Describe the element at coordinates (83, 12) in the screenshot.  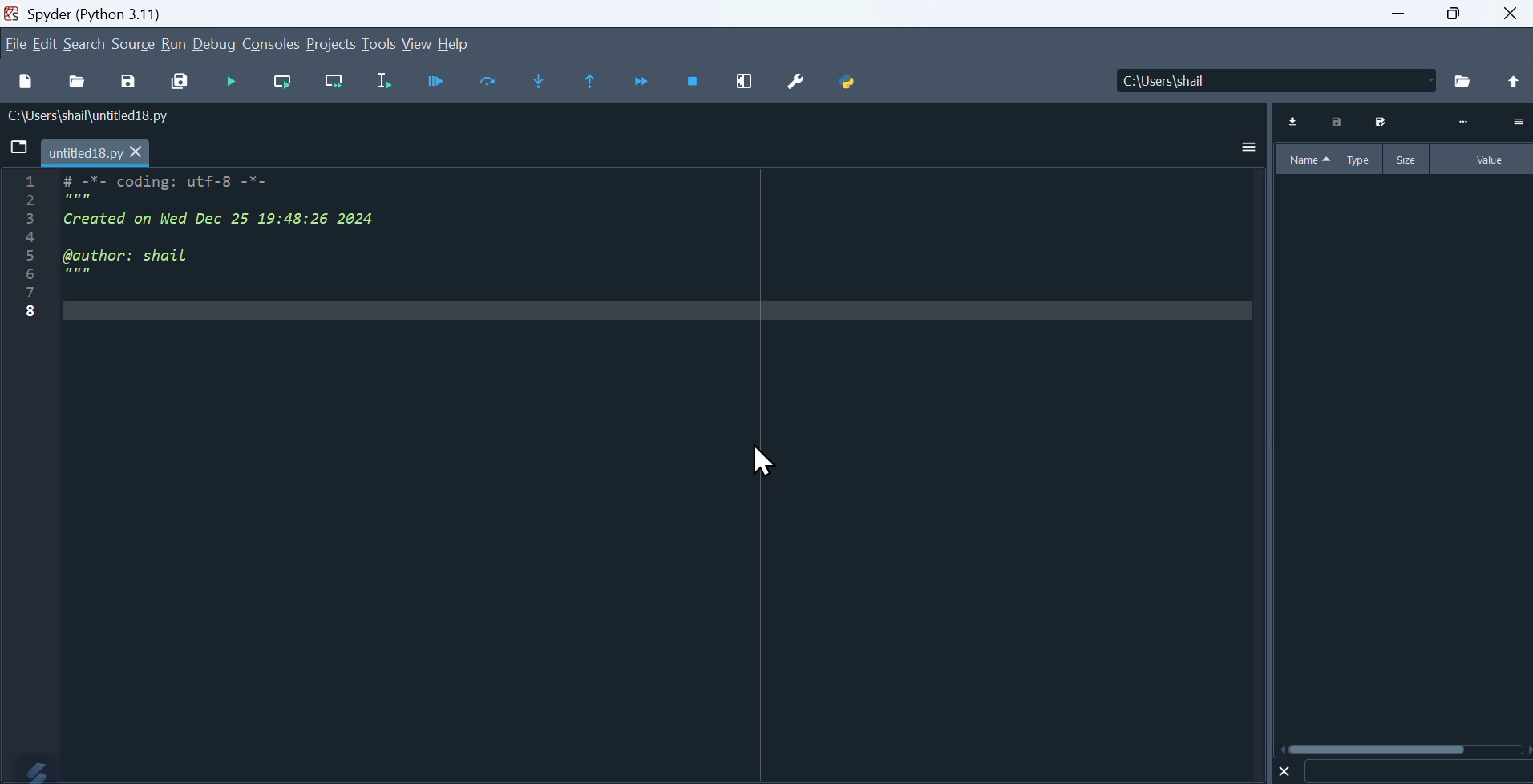
I see `Spyder (Python 3.11)` at that location.